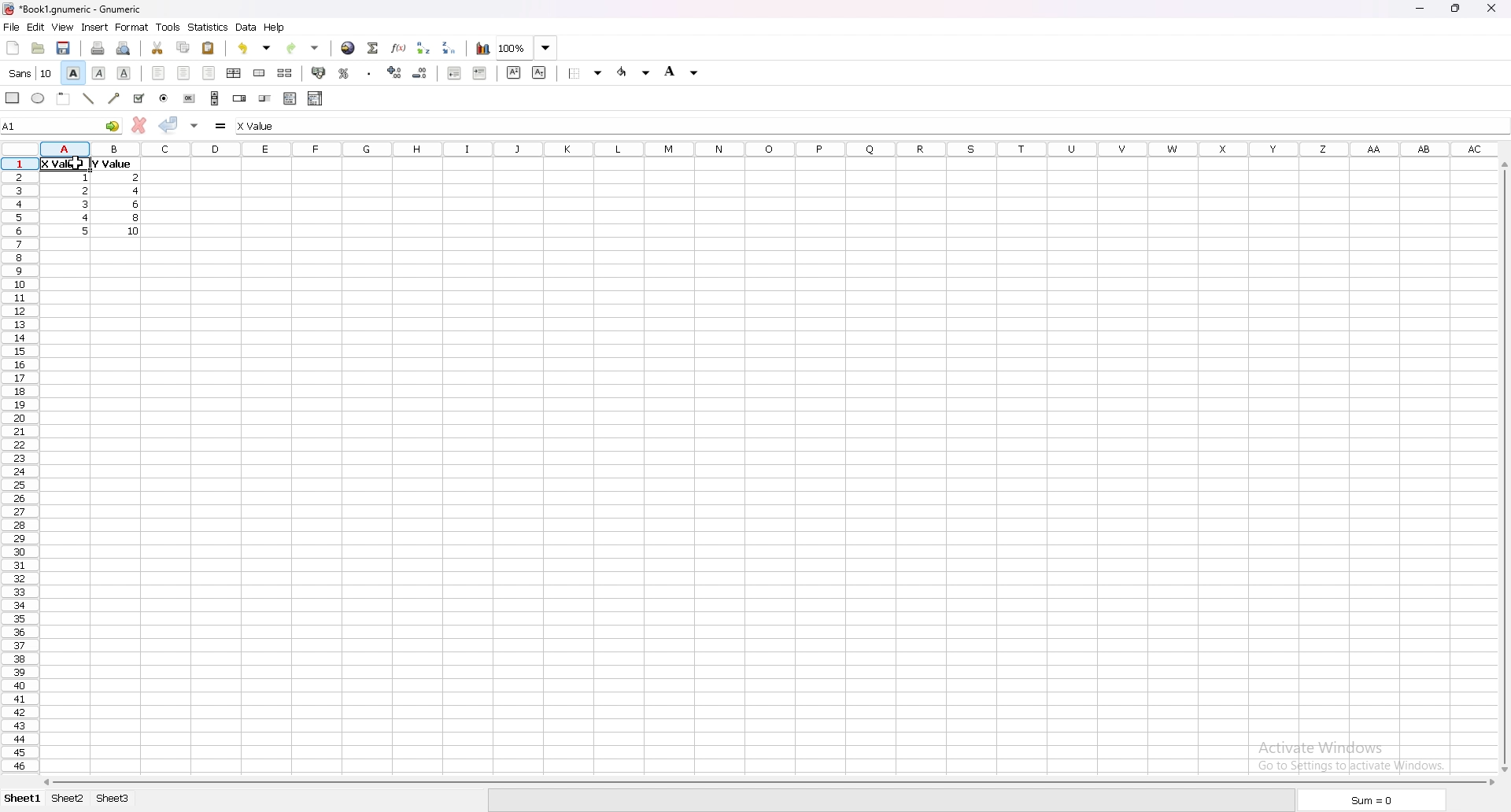 The image size is (1511, 812). What do you see at coordinates (189, 98) in the screenshot?
I see `button` at bounding box center [189, 98].